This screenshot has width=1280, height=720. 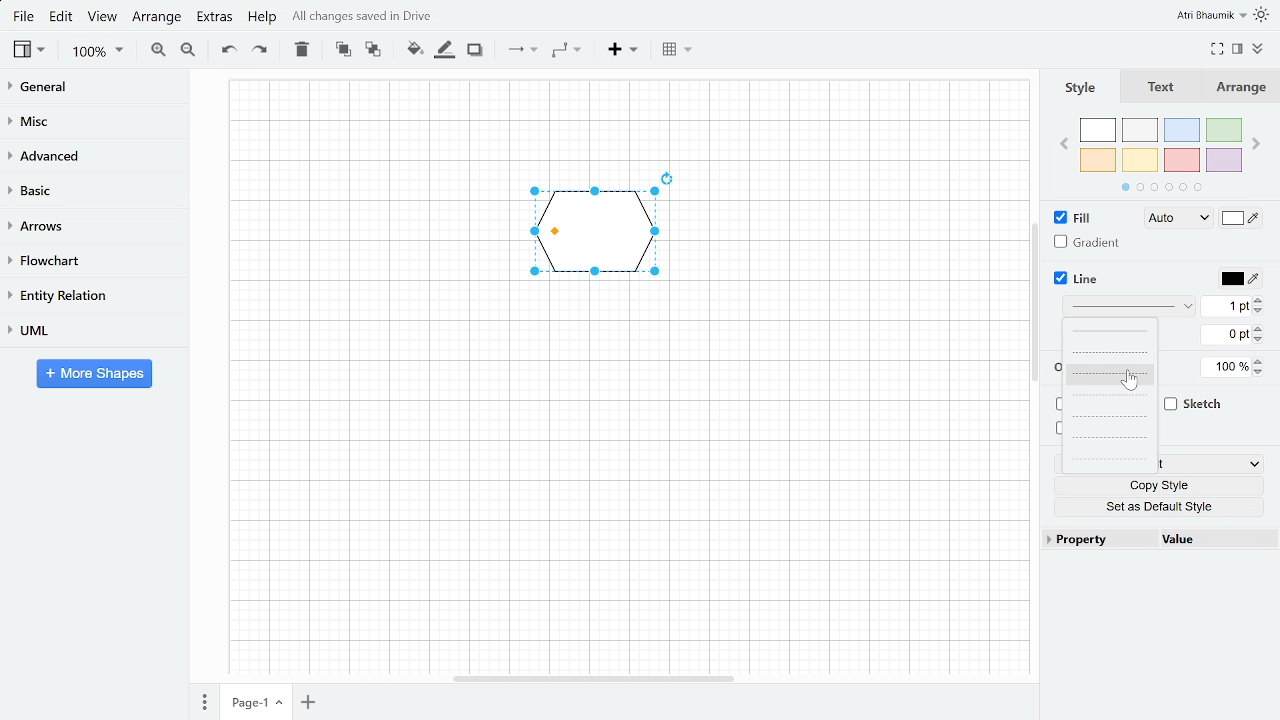 I want to click on More shapes, so click(x=94, y=374).